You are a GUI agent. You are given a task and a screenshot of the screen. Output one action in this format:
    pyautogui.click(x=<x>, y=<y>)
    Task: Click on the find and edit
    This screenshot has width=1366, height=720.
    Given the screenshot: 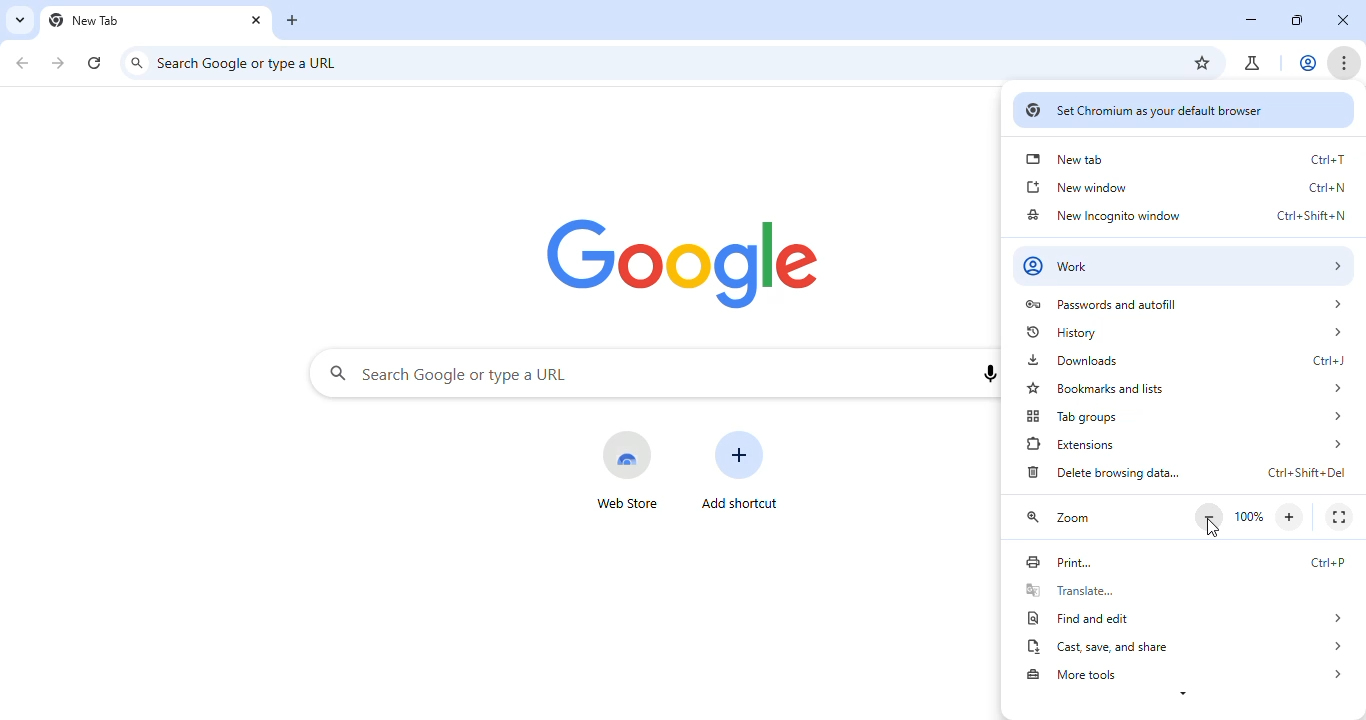 What is the action you would take?
    pyautogui.click(x=1186, y=619)
    